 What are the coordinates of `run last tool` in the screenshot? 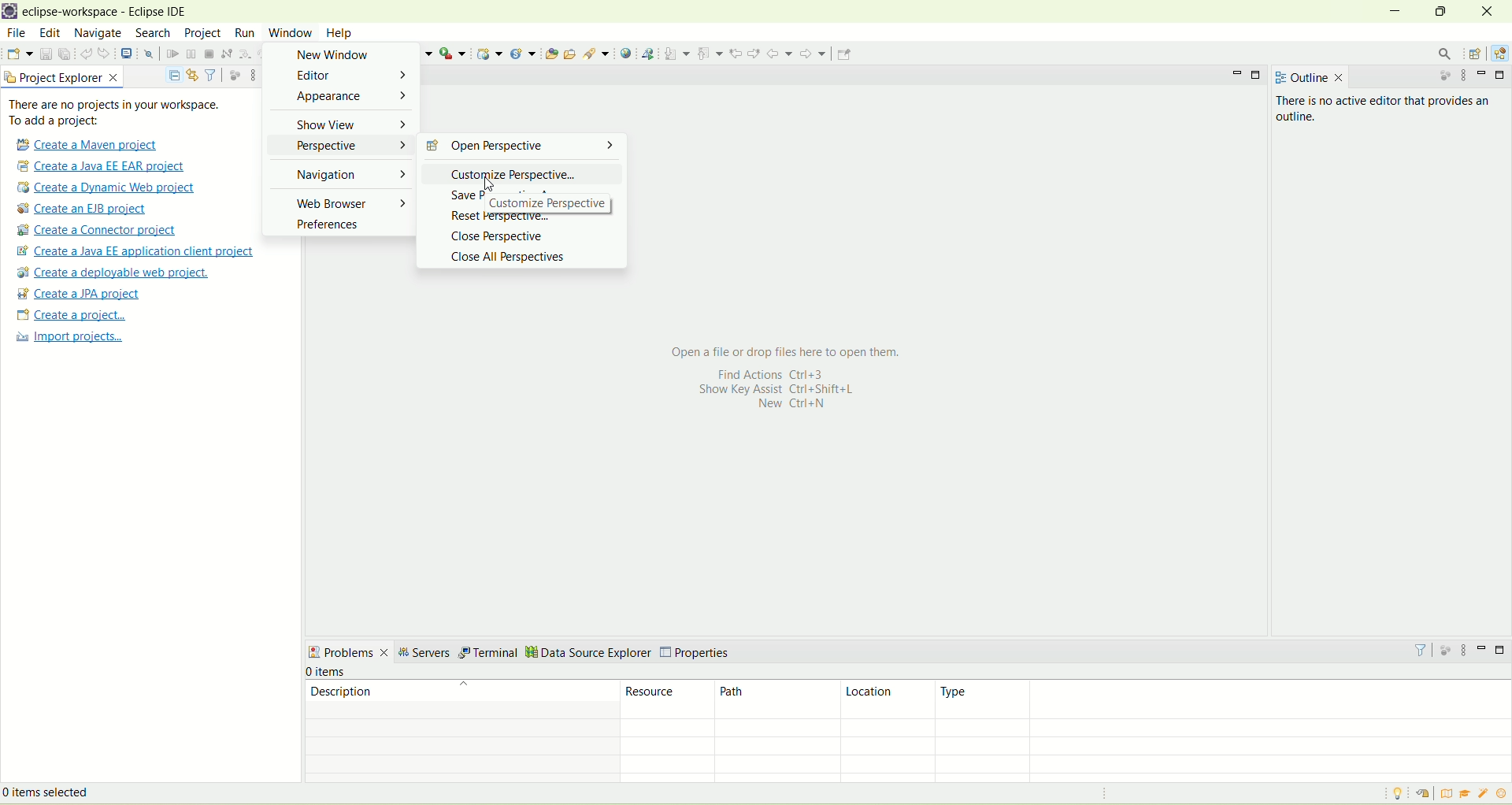 It's located at (451, 54).